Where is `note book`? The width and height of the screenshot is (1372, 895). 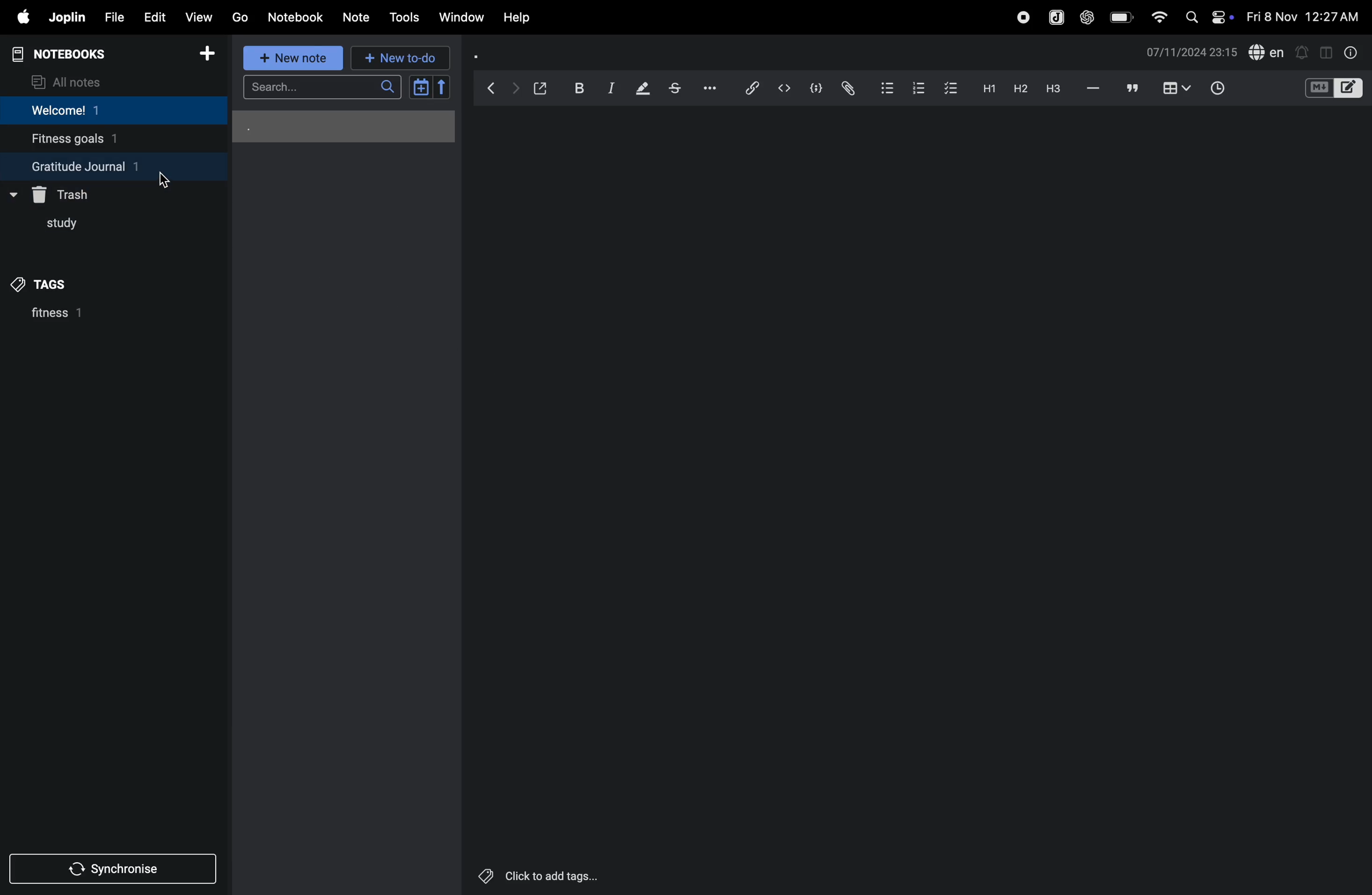
note book is located at coordinates (80, 54).